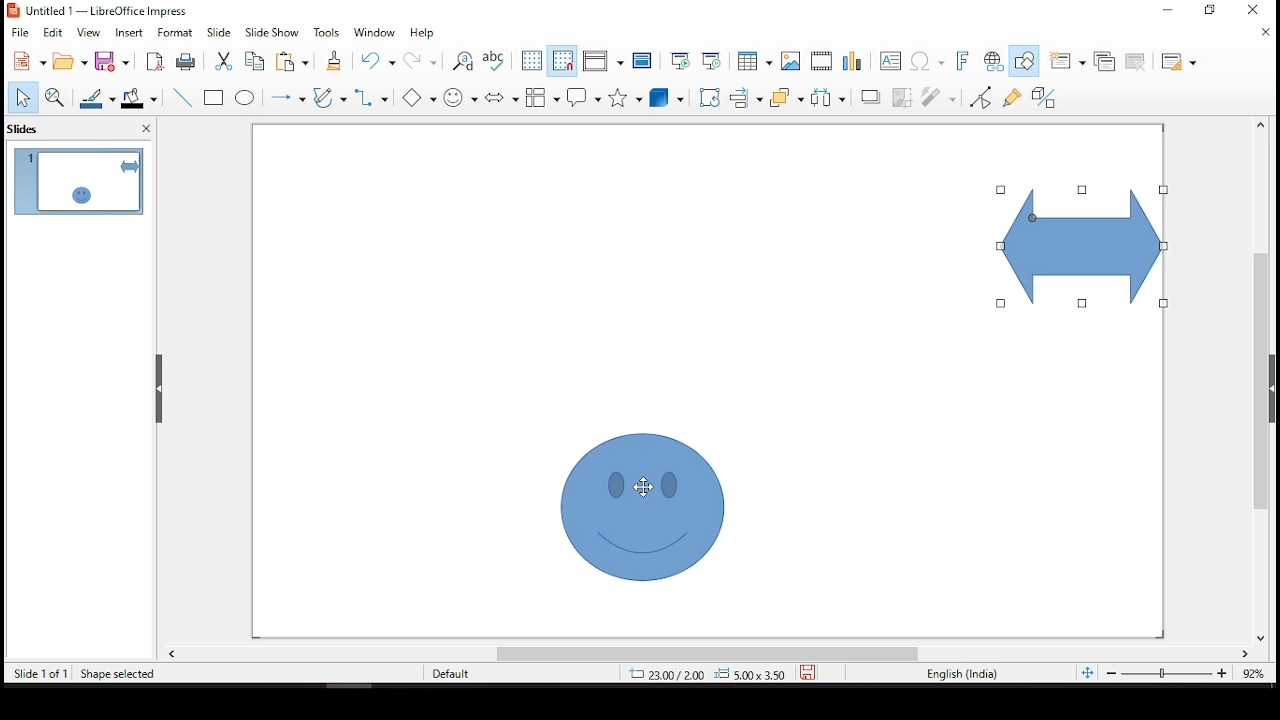 The image size is (1280, 720). Describe the element at coordinates (220, 62) in the screenshot. I see `cut` at that location.